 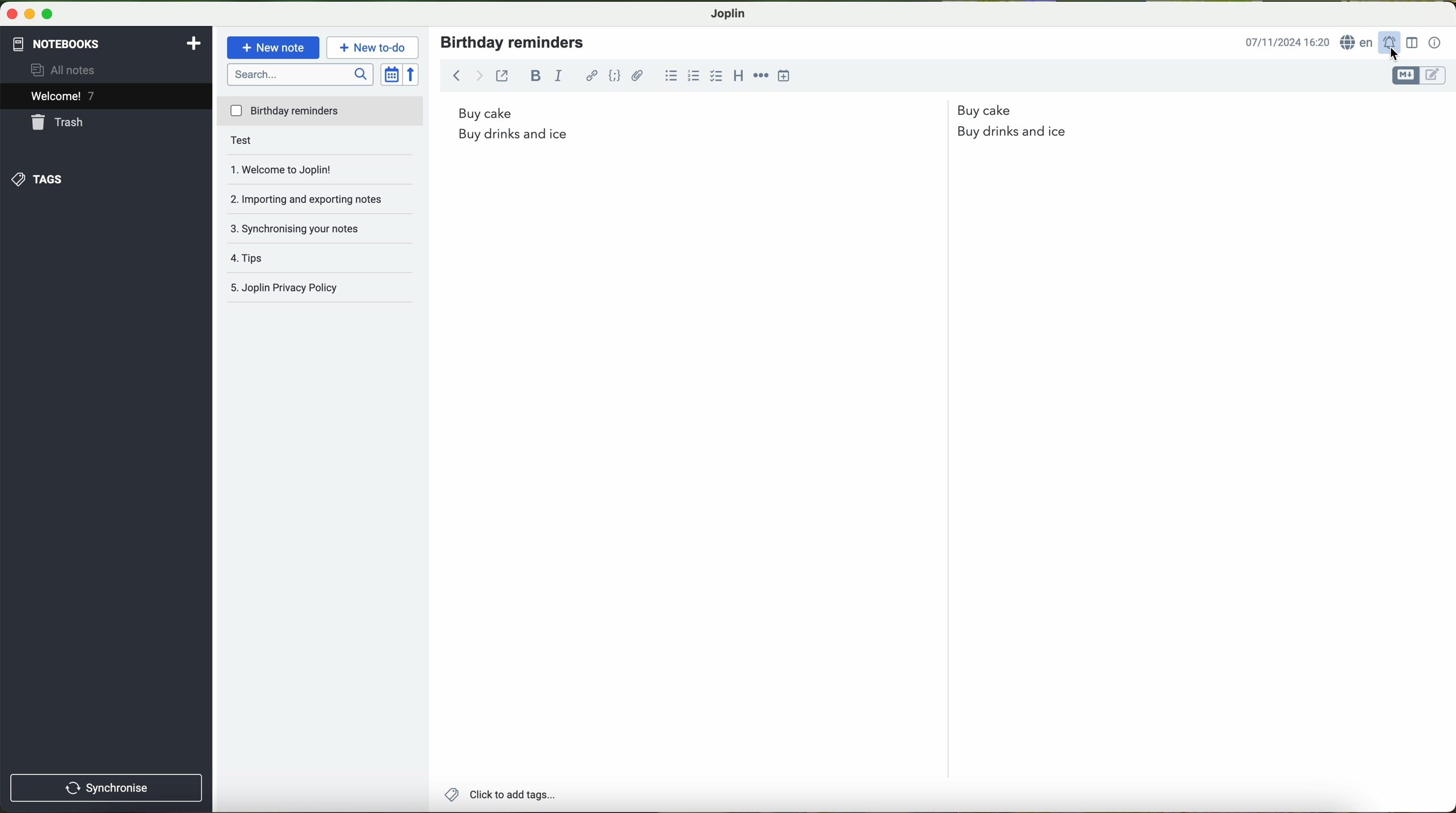 What do you see at coordinates (285, 285) in the screenshot?
I see `Joplin privacy policy` at bounding box center [285, 285].